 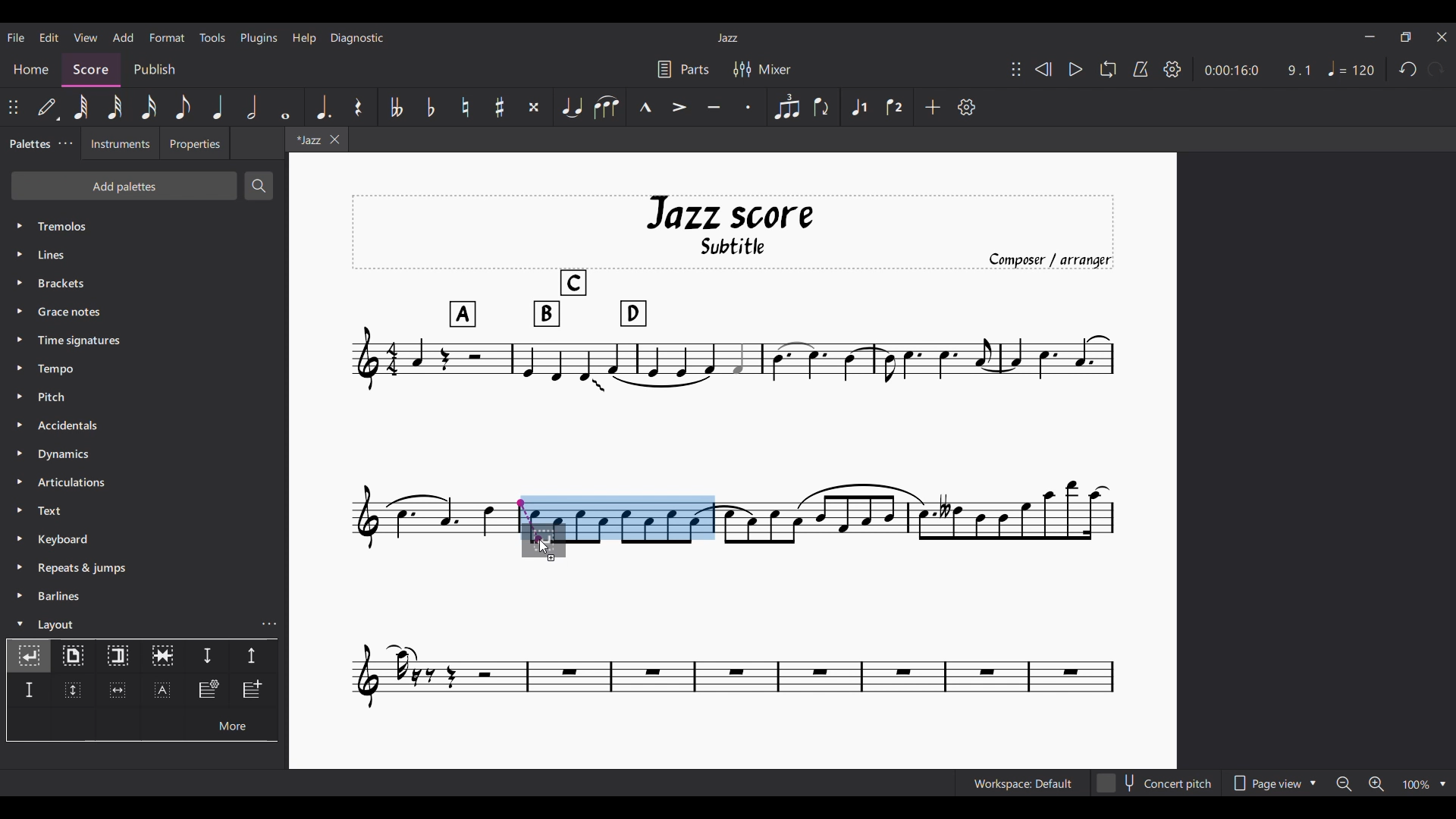 What do you see at coordinates (555, 538) in the screenshot?
I see `Preview of addition` at bounding box center [555, 538].